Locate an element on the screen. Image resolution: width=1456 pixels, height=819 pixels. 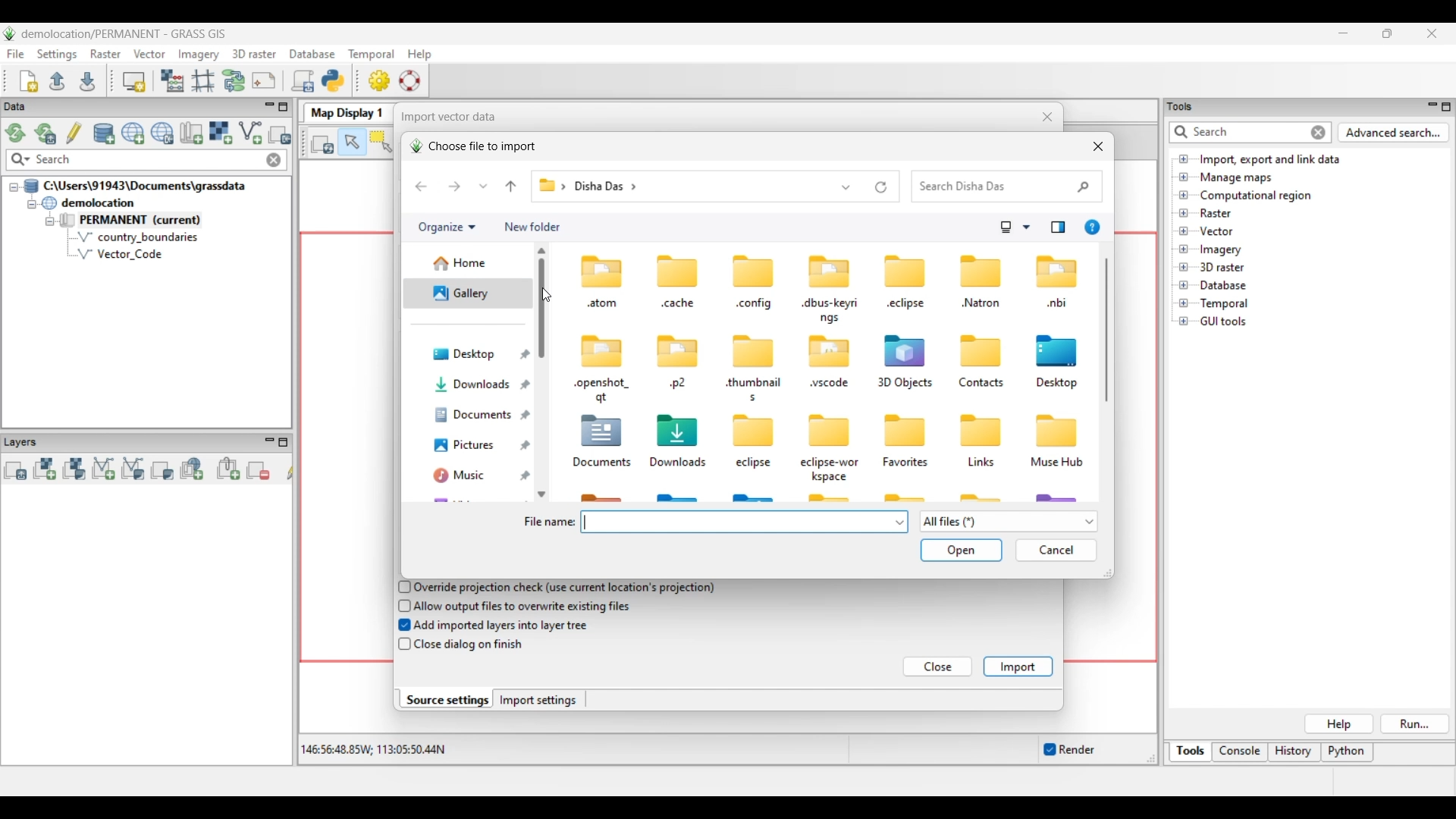
Create new map set in current project is located at coordinates (191, 133).